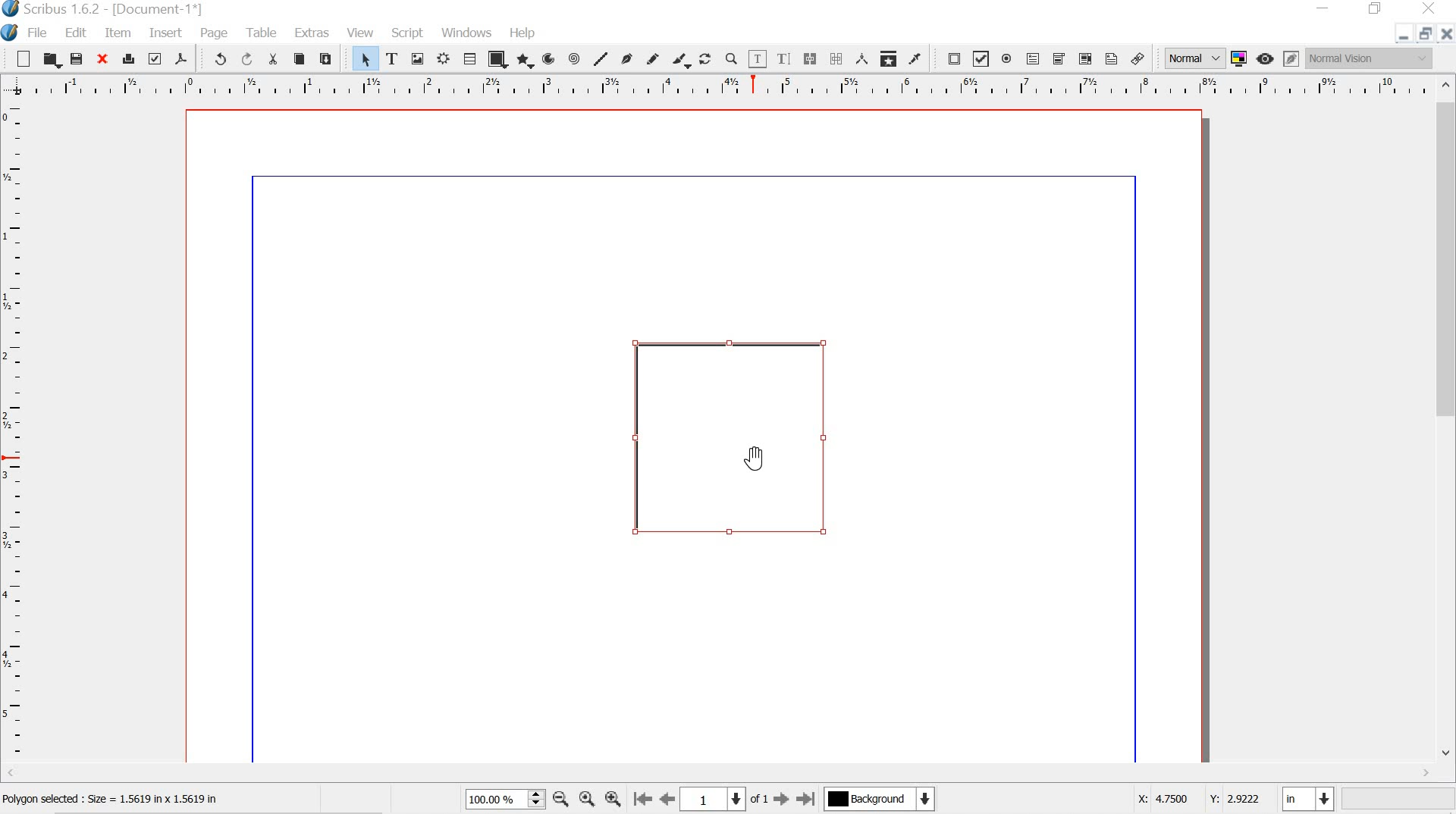  What do you see at coordinates (860, 59) in the screenshot?
I see `measurements` at bounding box center [860, 59].